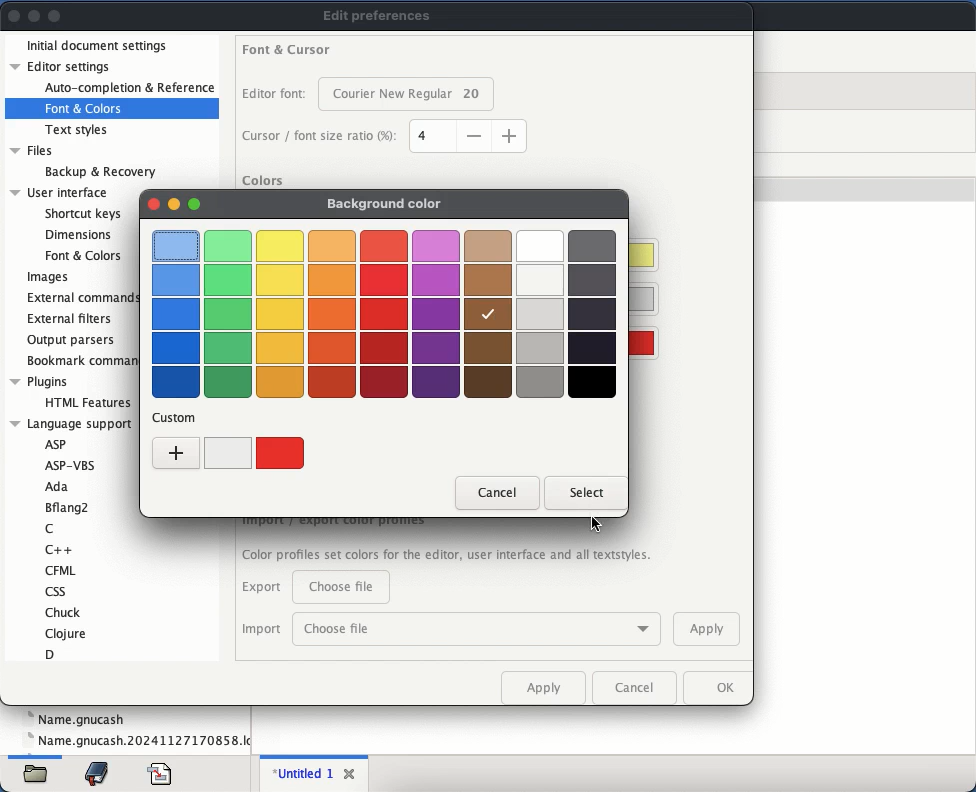 The image size is (976, 792). I want to click on initial document settings, so click(101, 44).